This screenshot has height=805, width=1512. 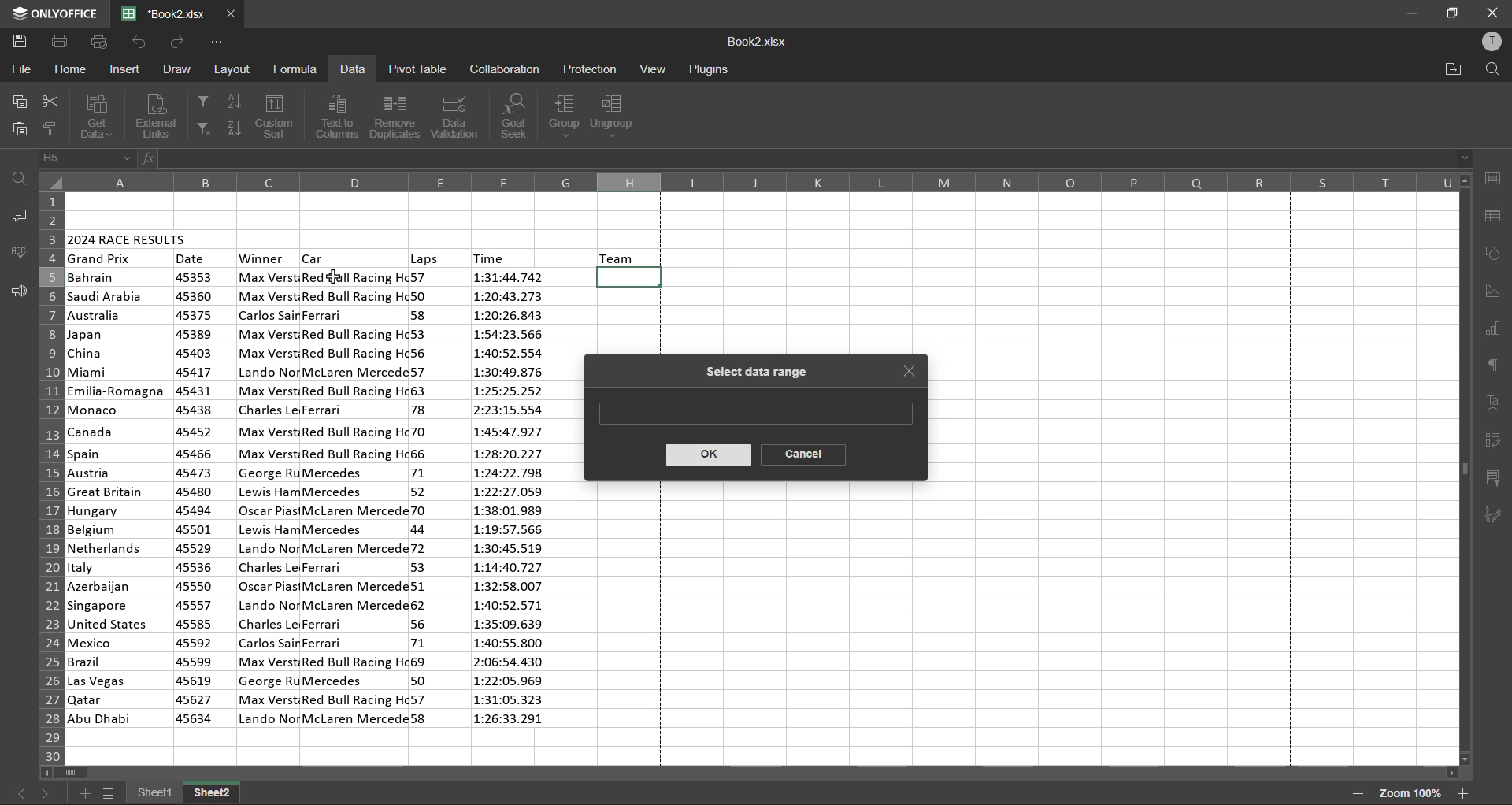 What do you see at coordinates (754, 411) in the screenshot?
I see `data range` at bounding box center [754, 411].